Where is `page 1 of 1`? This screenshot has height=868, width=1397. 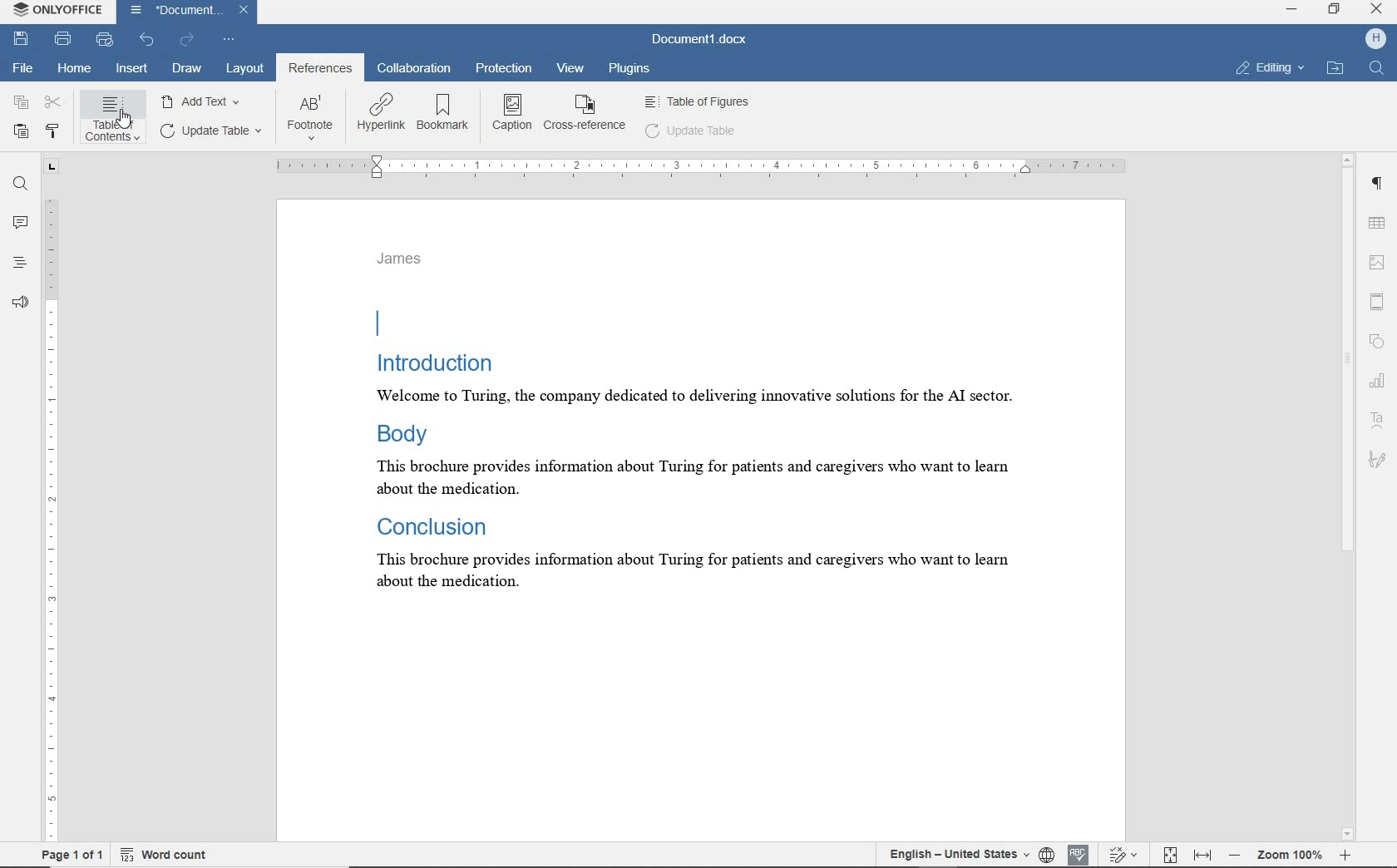 page 1 of 1 is located at coordinates (72, 856).